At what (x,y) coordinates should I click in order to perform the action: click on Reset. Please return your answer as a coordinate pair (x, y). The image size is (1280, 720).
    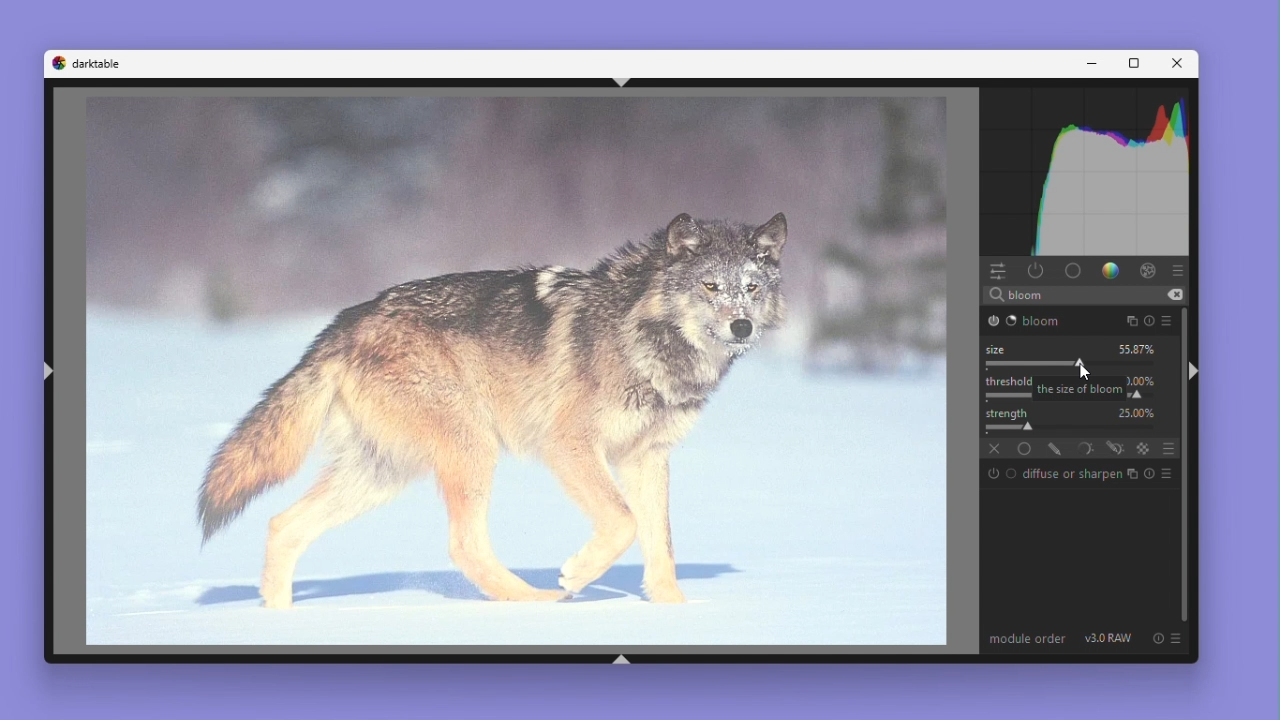
    Looking at the image, I should click on (1147, 474).